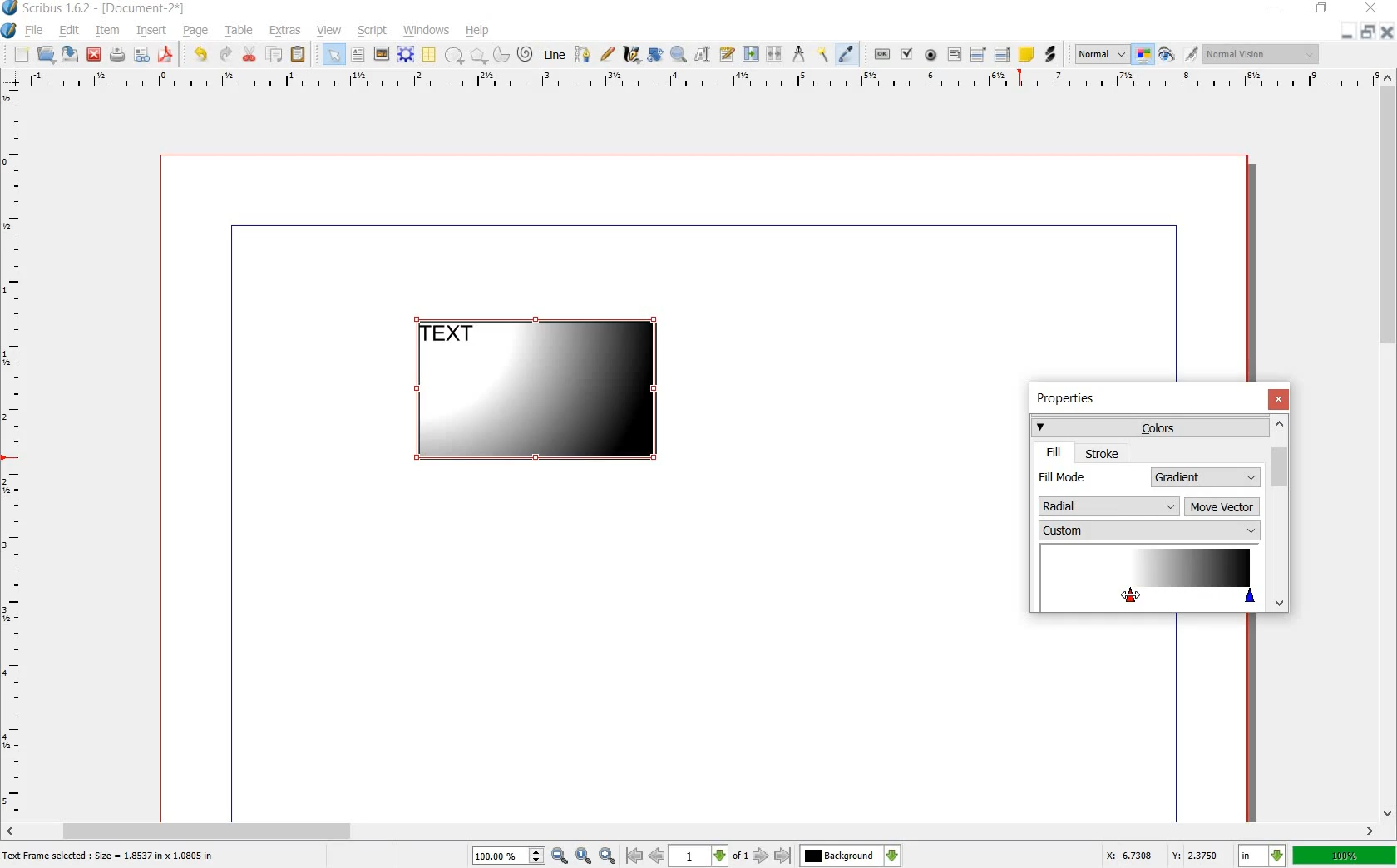 Image resolution: width=1397 pixels, height=868 pixels. What do you see at coordinates (96, 54) in the screenshot?
I see `close` at bounding box center [96, 54].